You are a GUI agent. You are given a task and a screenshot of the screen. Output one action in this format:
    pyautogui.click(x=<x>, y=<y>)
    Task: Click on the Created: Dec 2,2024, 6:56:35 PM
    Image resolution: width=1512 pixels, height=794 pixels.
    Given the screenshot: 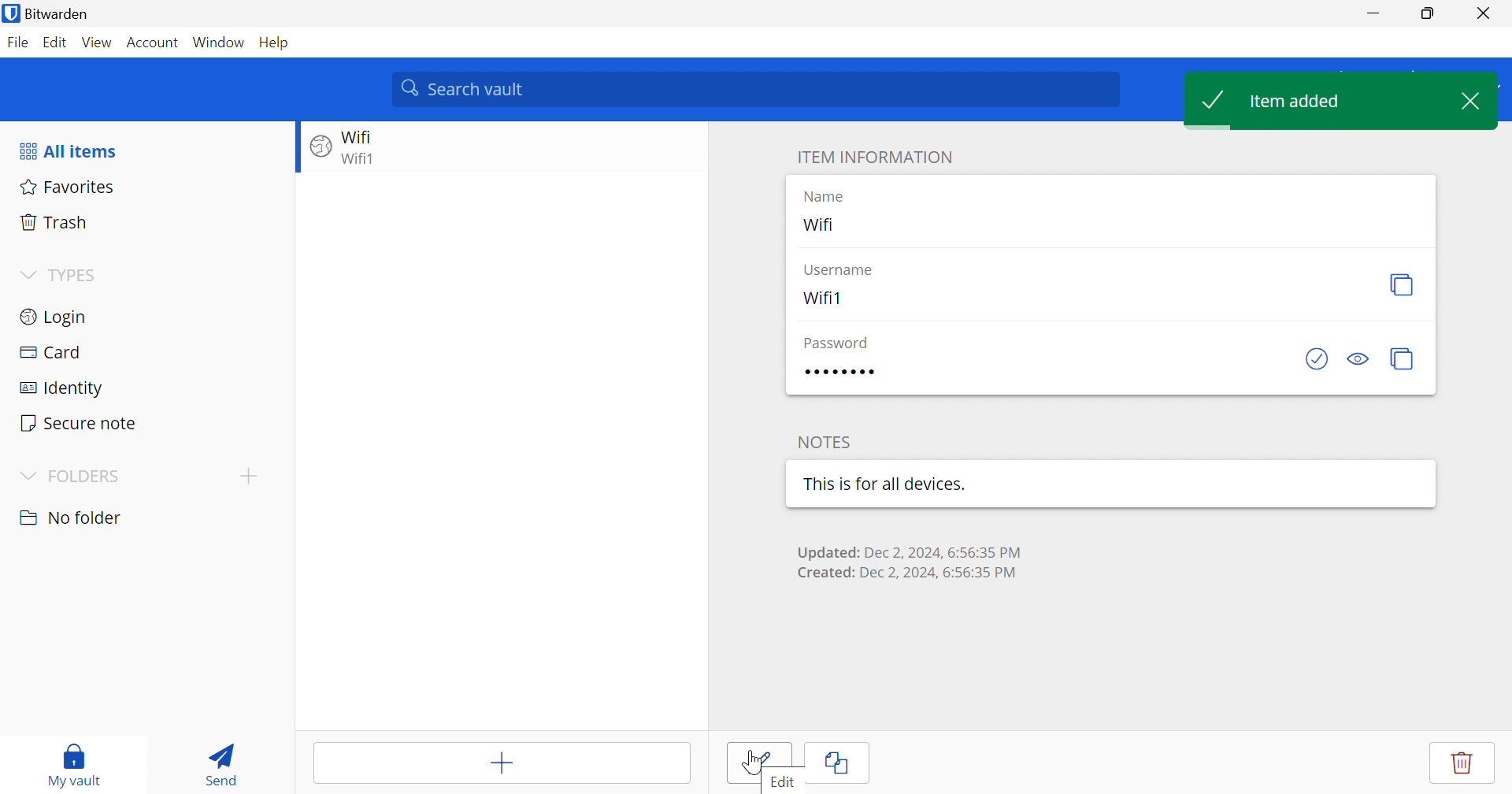 What is the action you would take?
    pyautogui.click(x=906, y=576)
    